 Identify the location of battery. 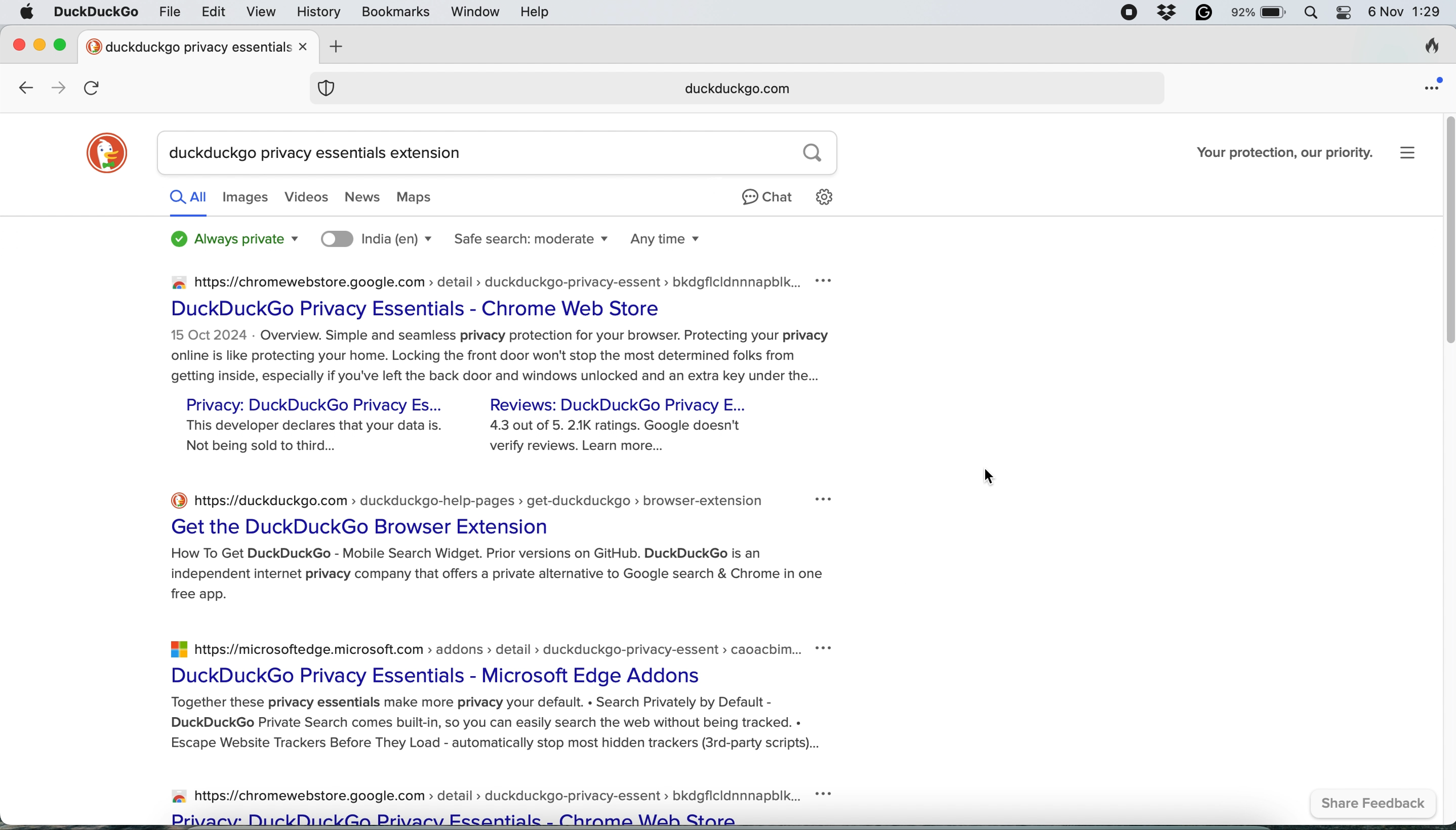
(1260, 14).